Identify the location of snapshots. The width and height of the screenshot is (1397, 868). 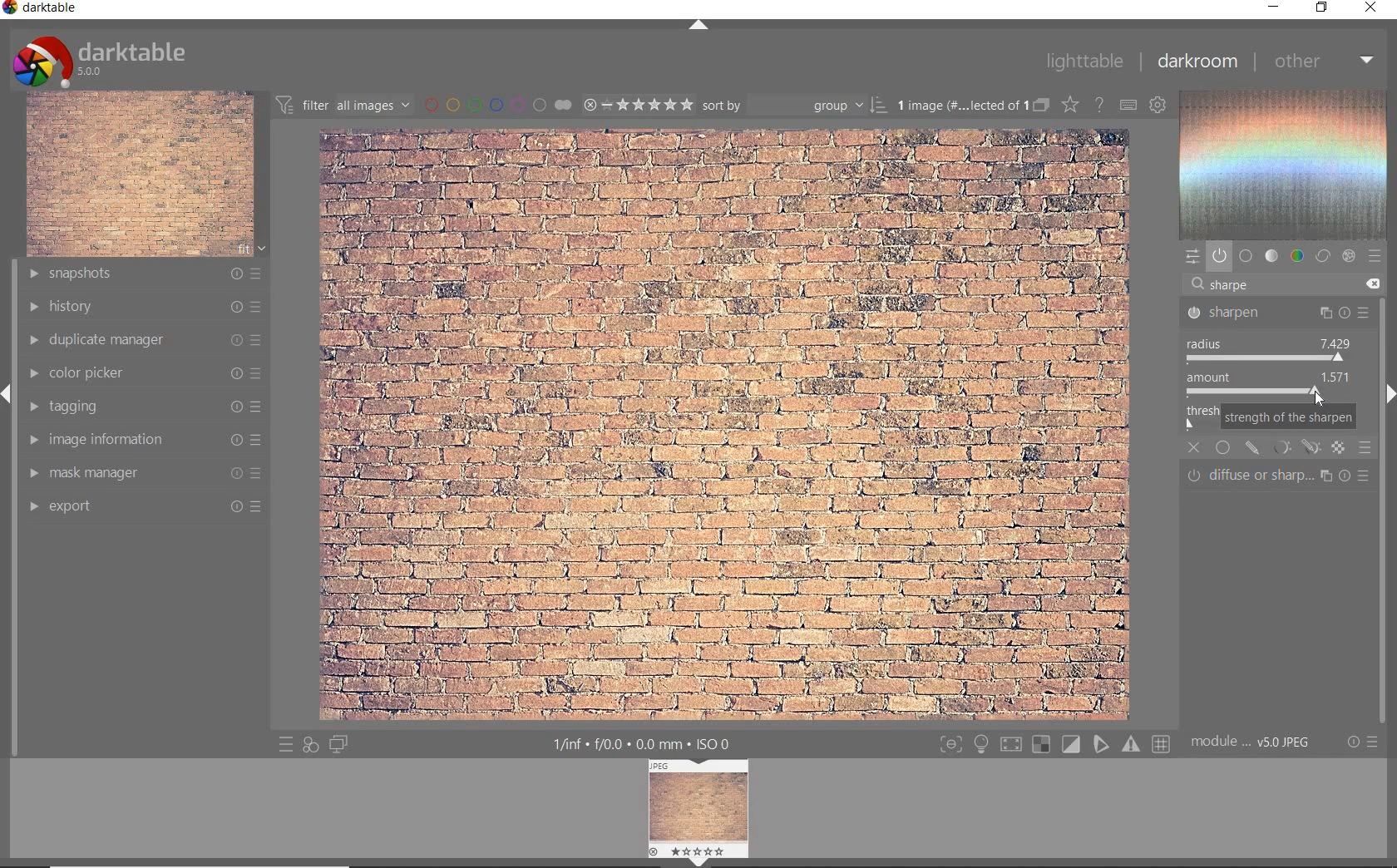
(146, 274).